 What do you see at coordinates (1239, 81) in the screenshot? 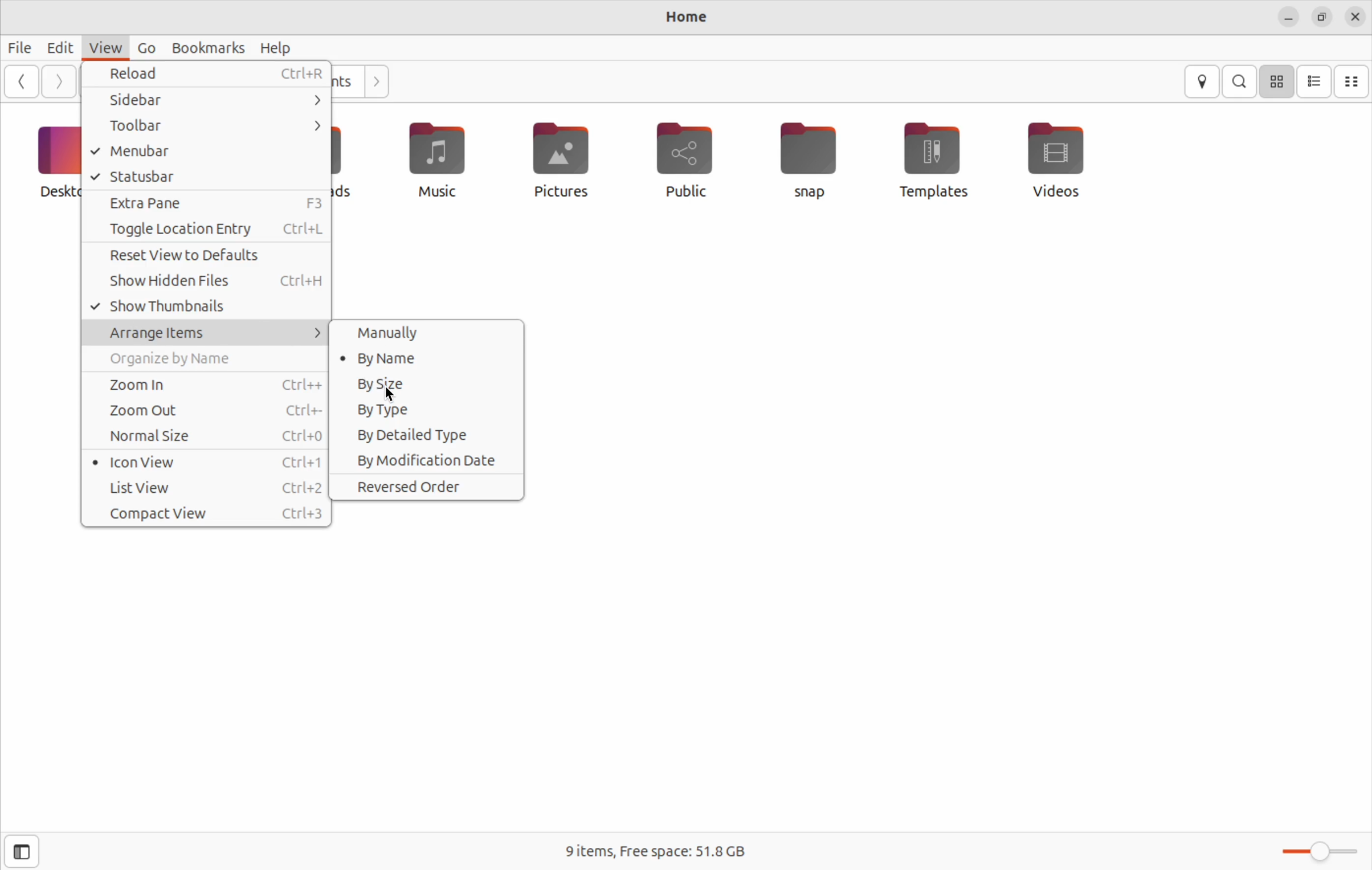
I see `search` at bounding box center [1239, 81].